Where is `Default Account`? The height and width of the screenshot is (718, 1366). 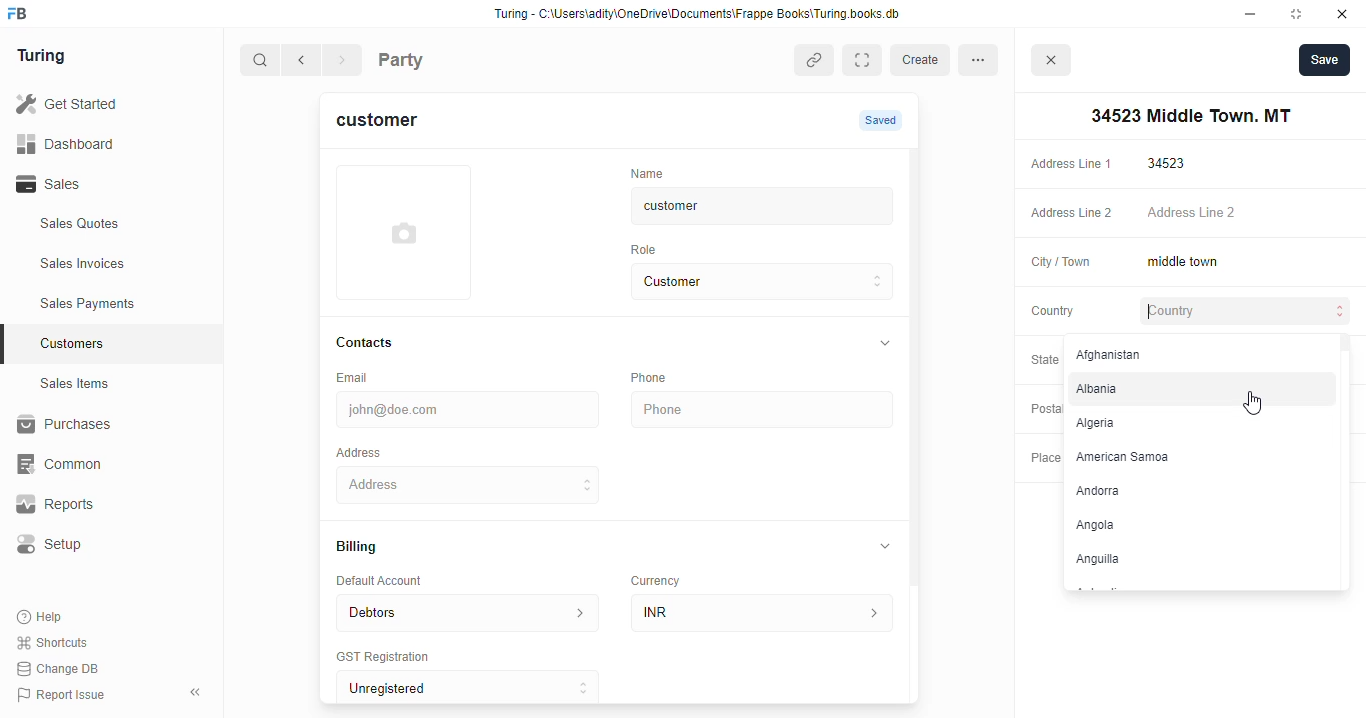
Default Account is located at coordinates (395, 580).